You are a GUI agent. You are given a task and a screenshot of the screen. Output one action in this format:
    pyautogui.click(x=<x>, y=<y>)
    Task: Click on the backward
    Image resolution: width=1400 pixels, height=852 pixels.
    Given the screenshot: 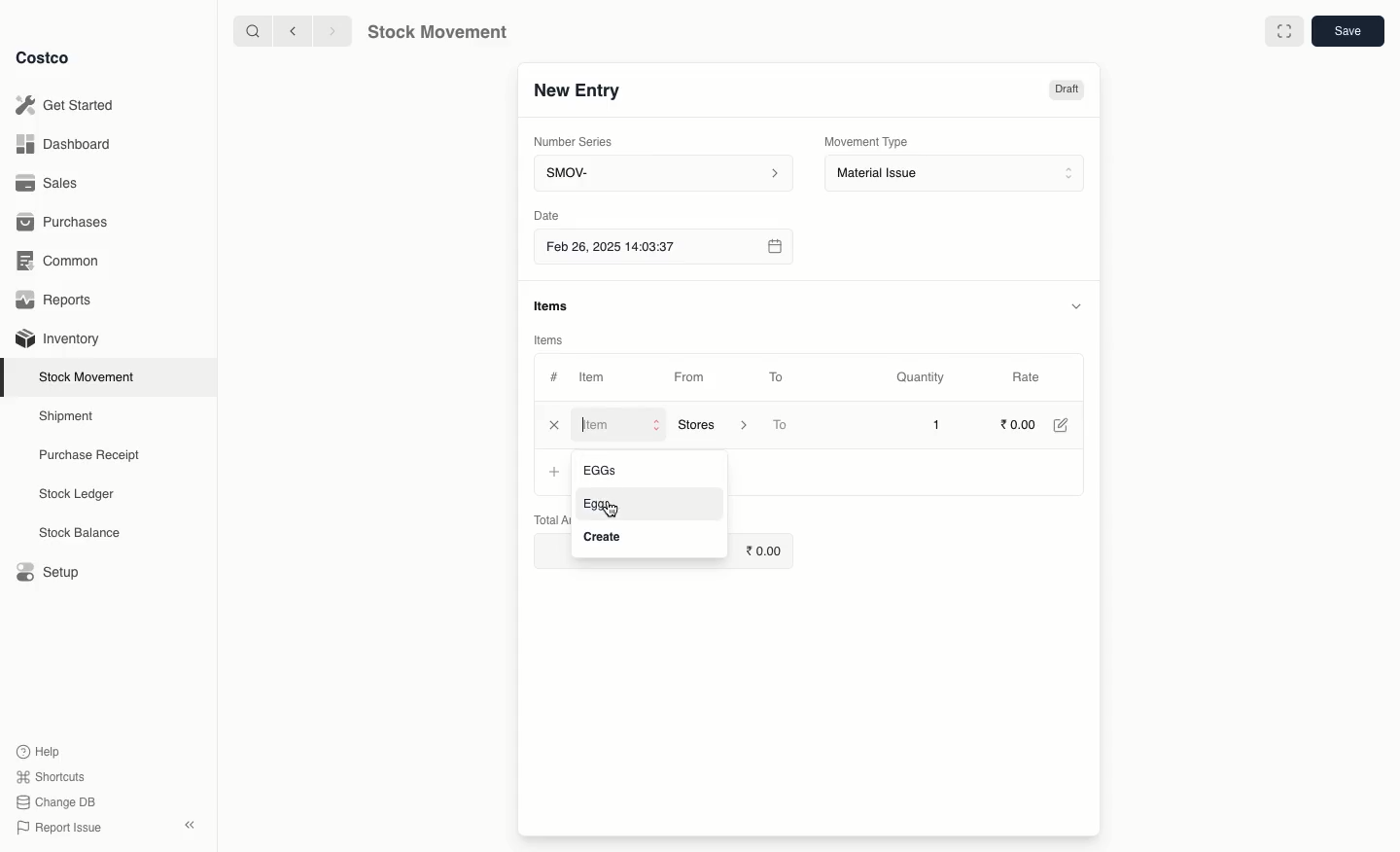 What is the action you would take?
    pyautogui.click(x=296, y=32)
    